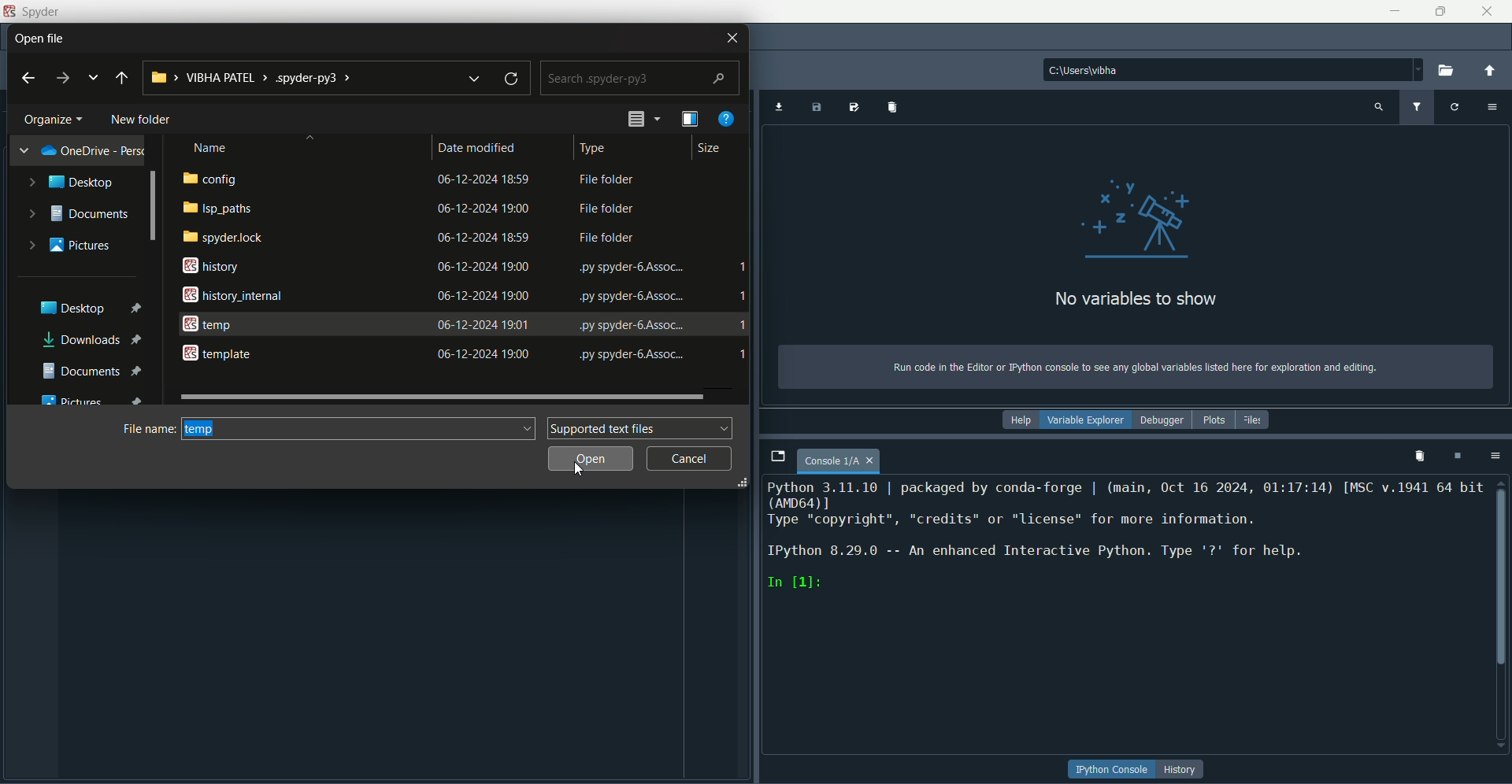  What do you see at coordinates (485, 353) in the screenshot?
I see `date` at bounding box center [485, 353].